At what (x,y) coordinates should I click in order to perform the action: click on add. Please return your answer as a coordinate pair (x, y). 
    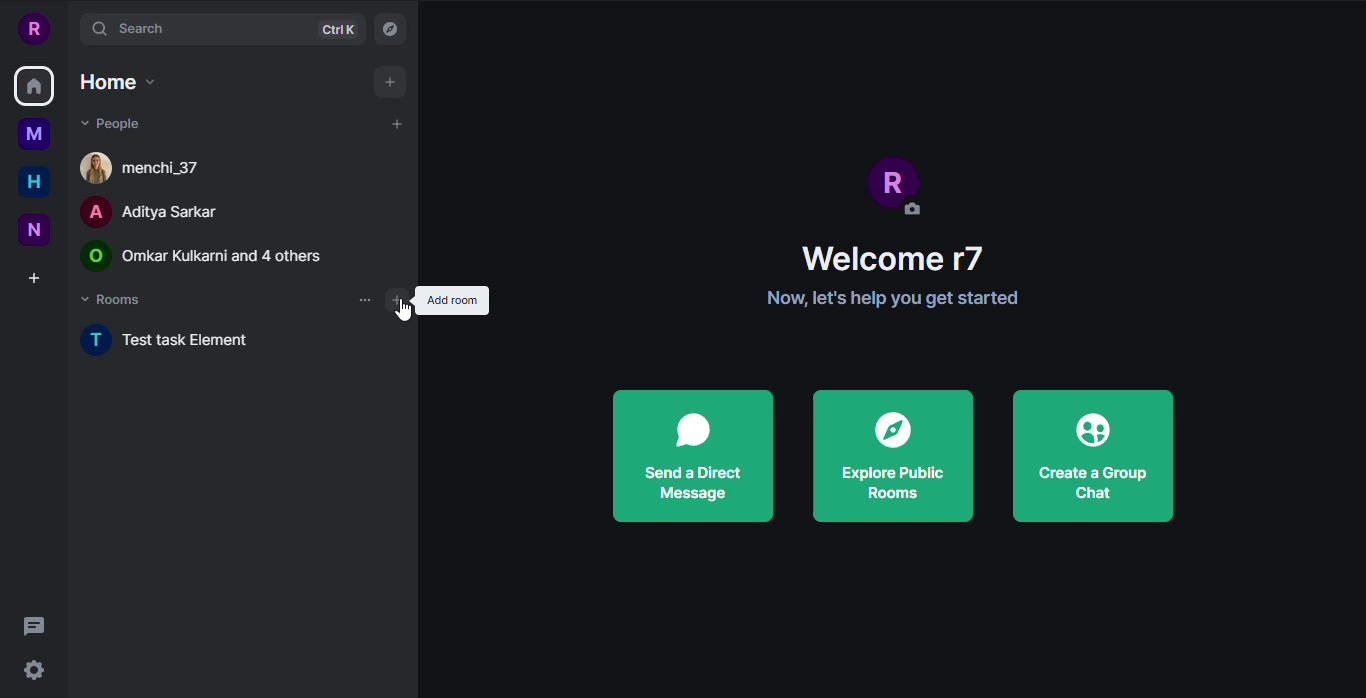
    Looking at the image, I should click on (396, 124).